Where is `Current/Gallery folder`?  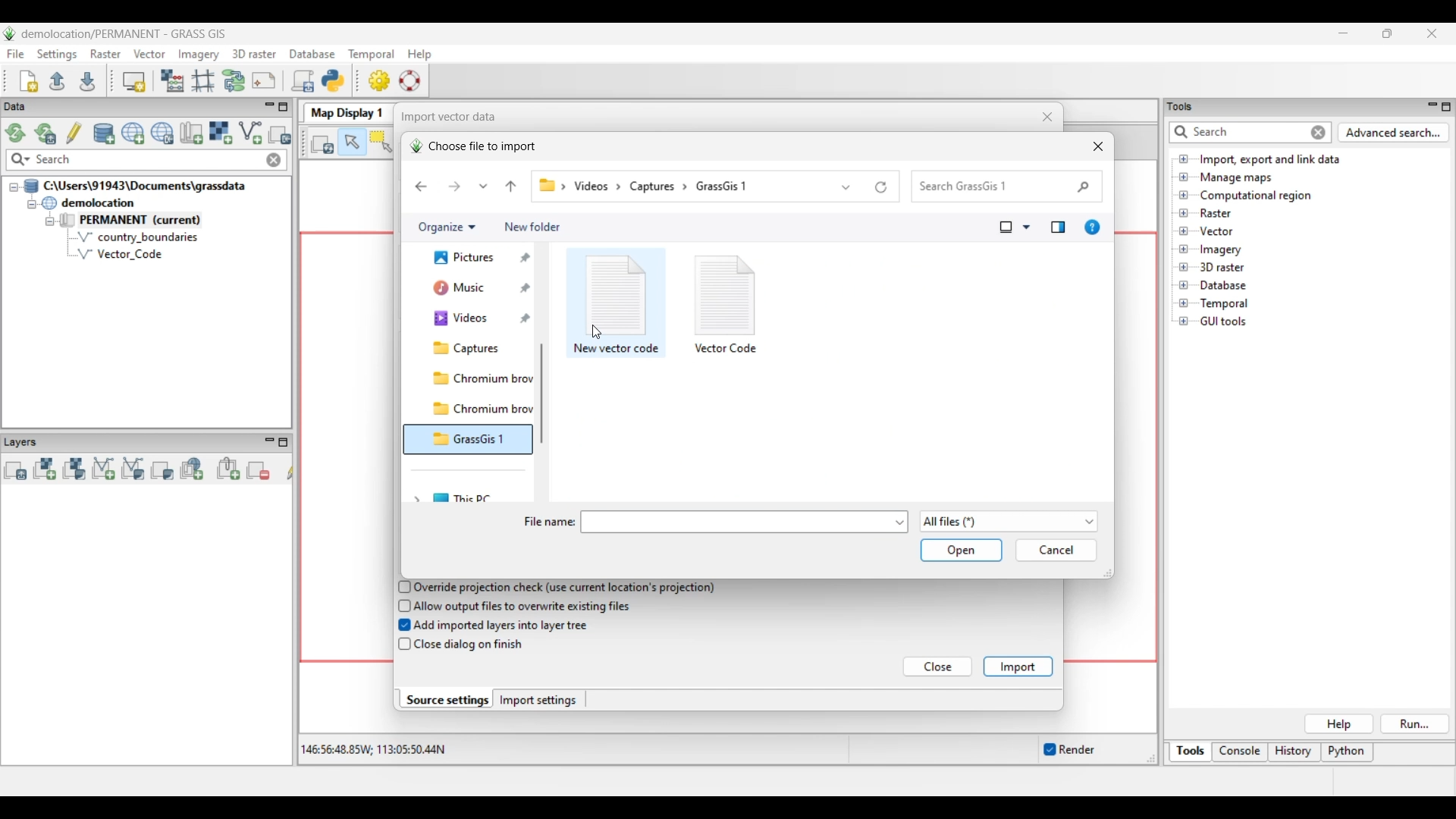
Current/Gallery folder is located at coordinates (469, 293).